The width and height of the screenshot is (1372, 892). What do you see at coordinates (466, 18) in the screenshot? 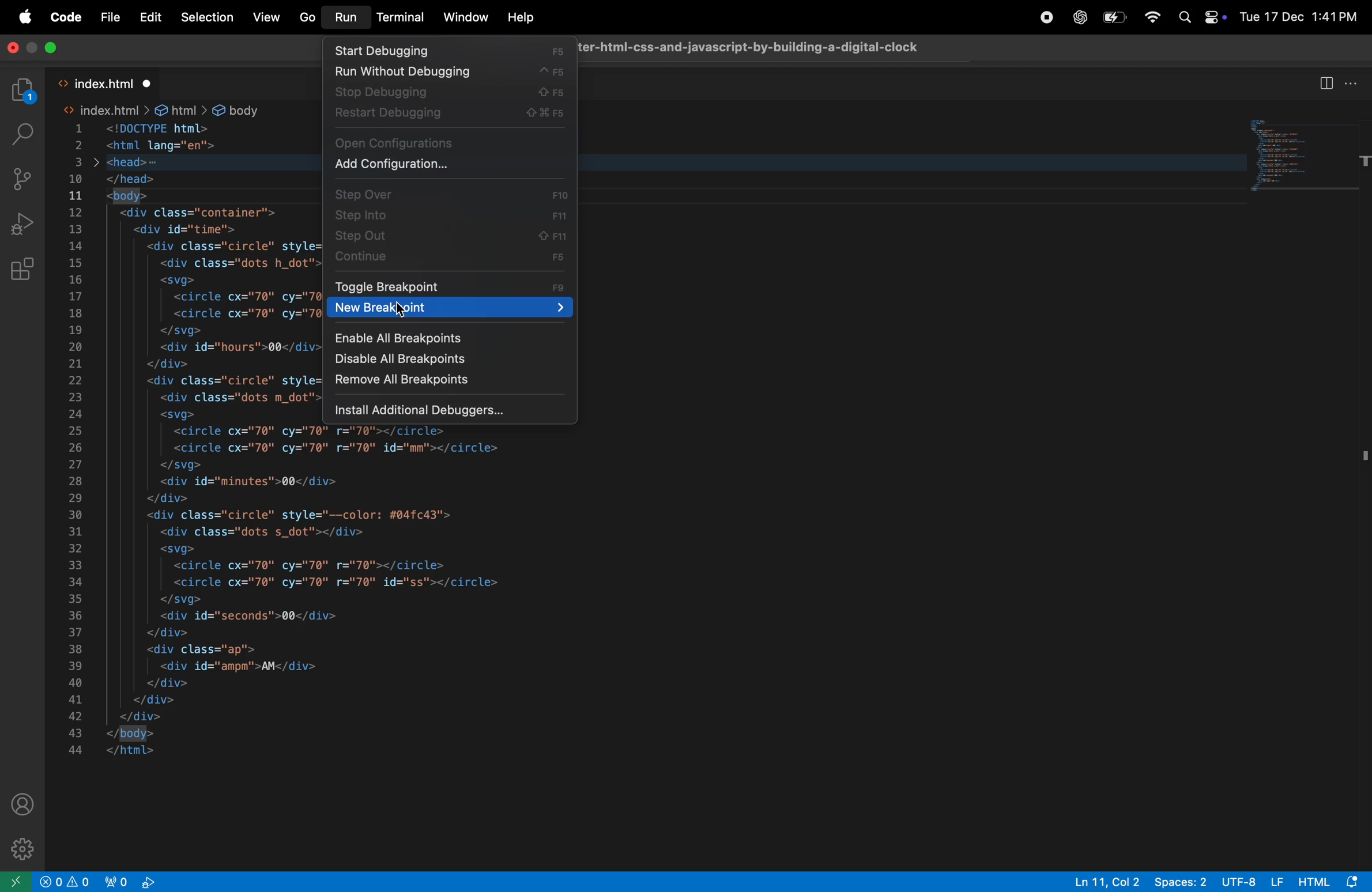
I see `window` at bounding box center [466, 18].